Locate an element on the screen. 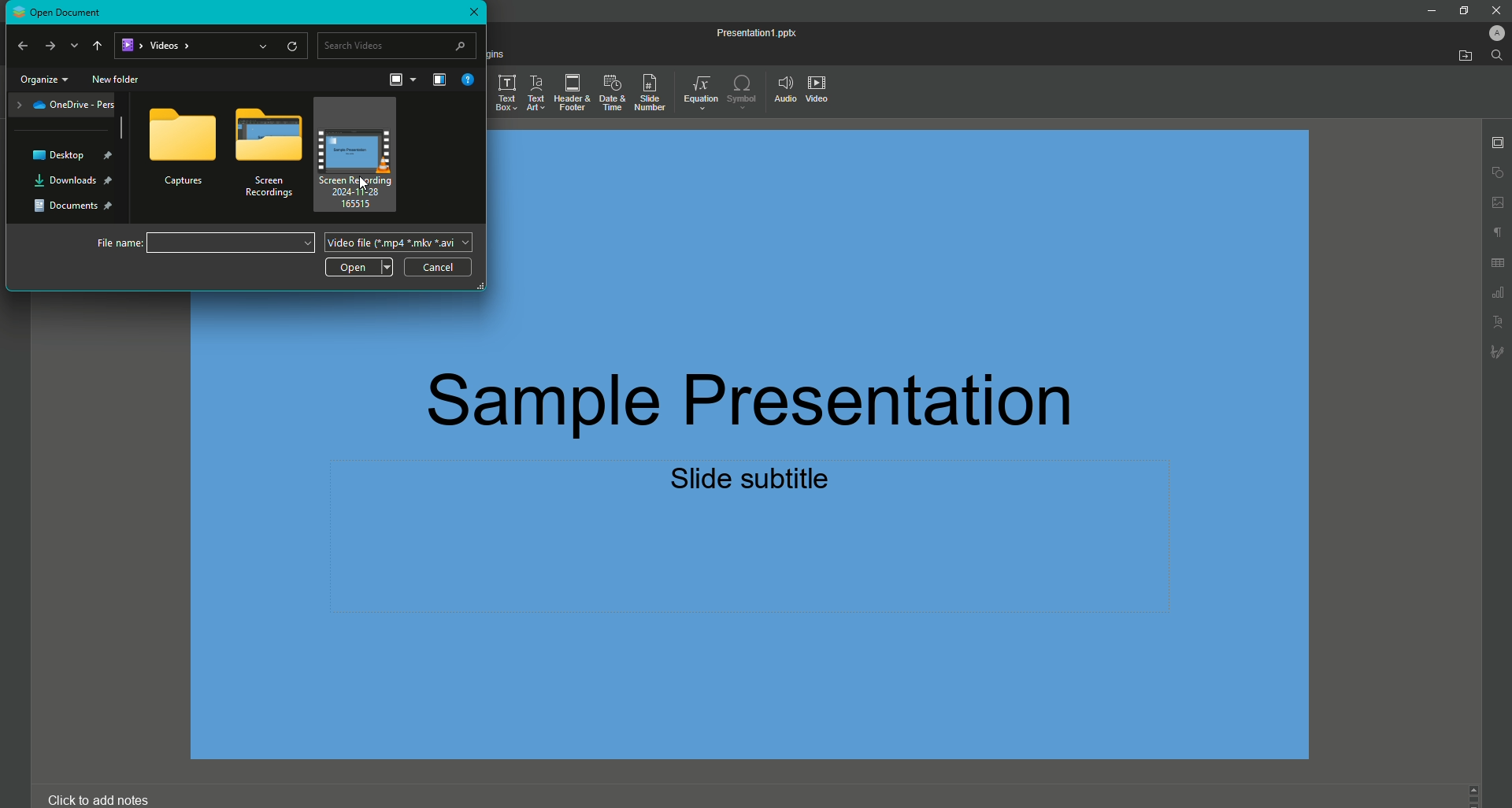  Text Art is located at coordinates (535, 93).